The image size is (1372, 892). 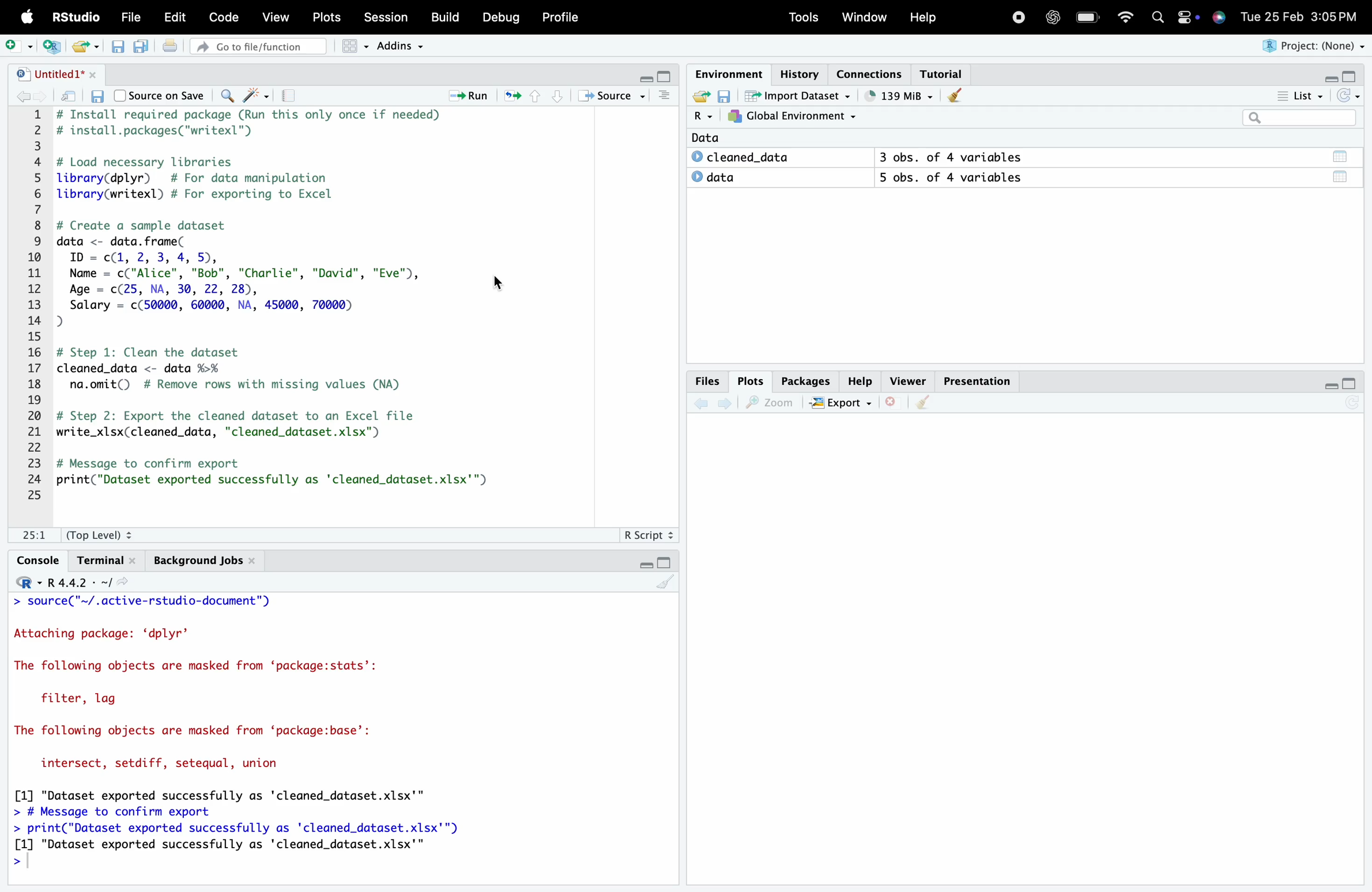 I want to click on Maximize/Restore, so click(x=1350, y=74).